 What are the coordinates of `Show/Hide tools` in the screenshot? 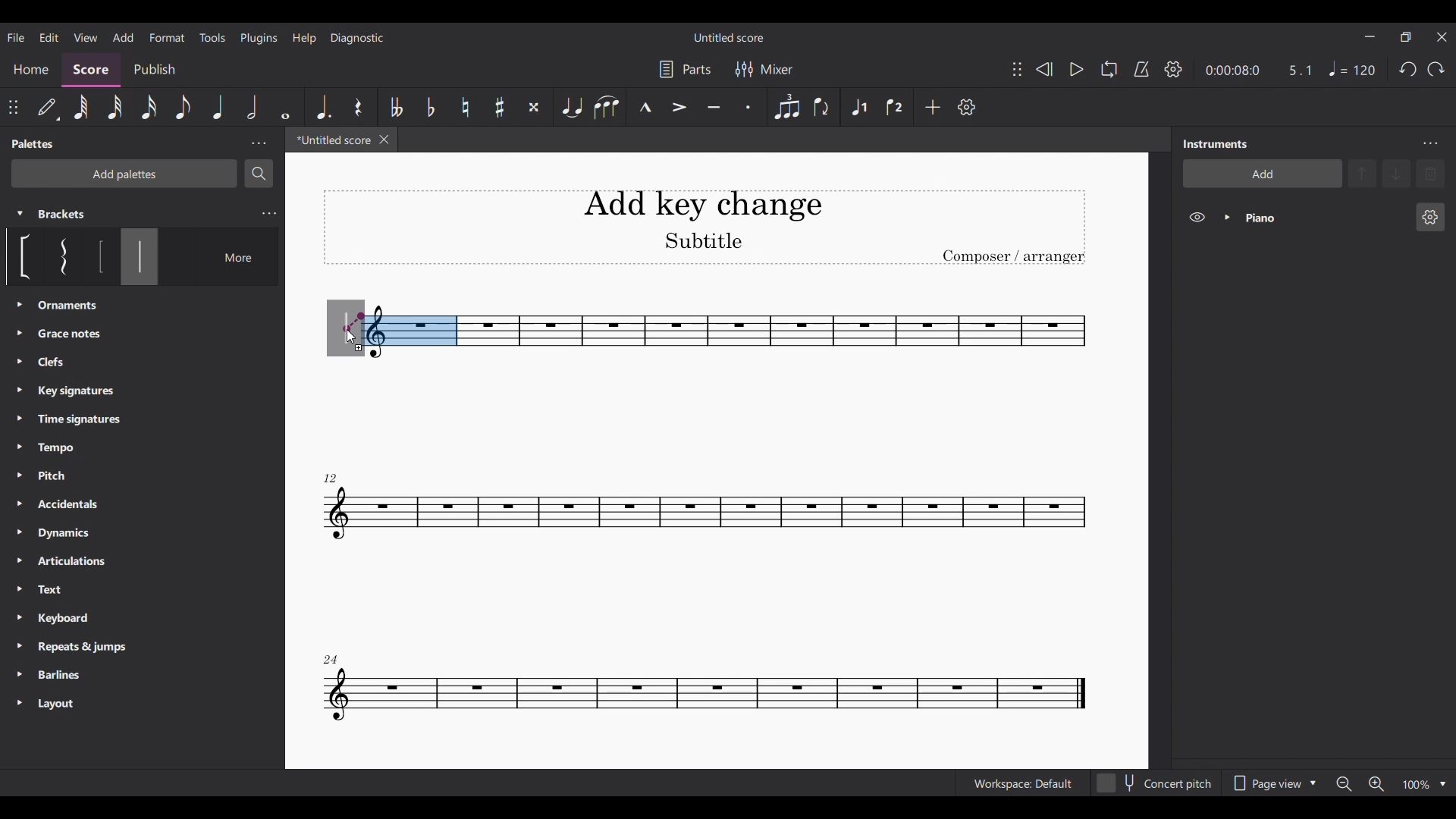 It's located at (1173, 69).